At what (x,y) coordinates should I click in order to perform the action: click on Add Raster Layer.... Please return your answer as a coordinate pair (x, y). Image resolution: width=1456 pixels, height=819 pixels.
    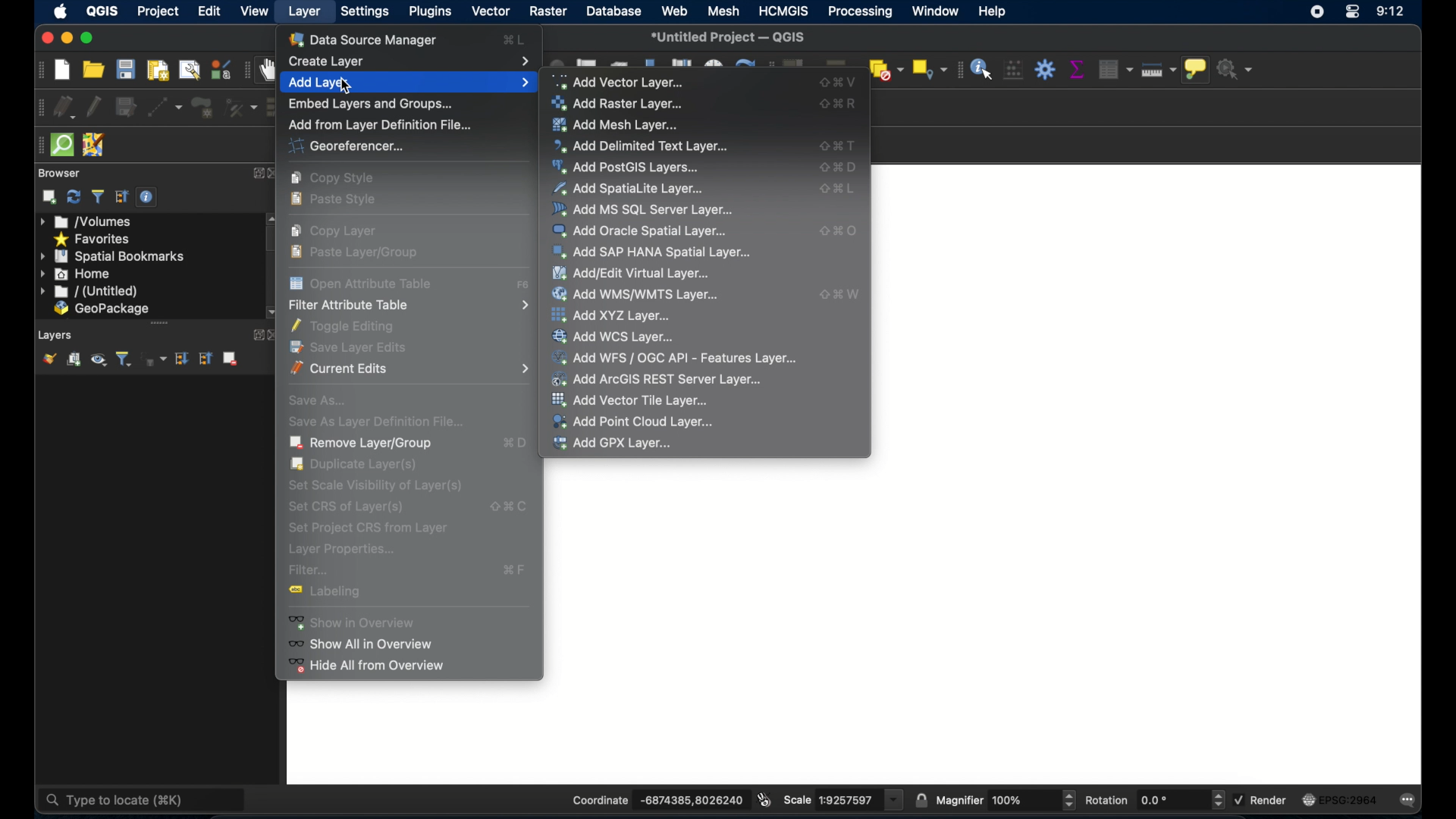
    Looking at the image, I should click on (704, 104).